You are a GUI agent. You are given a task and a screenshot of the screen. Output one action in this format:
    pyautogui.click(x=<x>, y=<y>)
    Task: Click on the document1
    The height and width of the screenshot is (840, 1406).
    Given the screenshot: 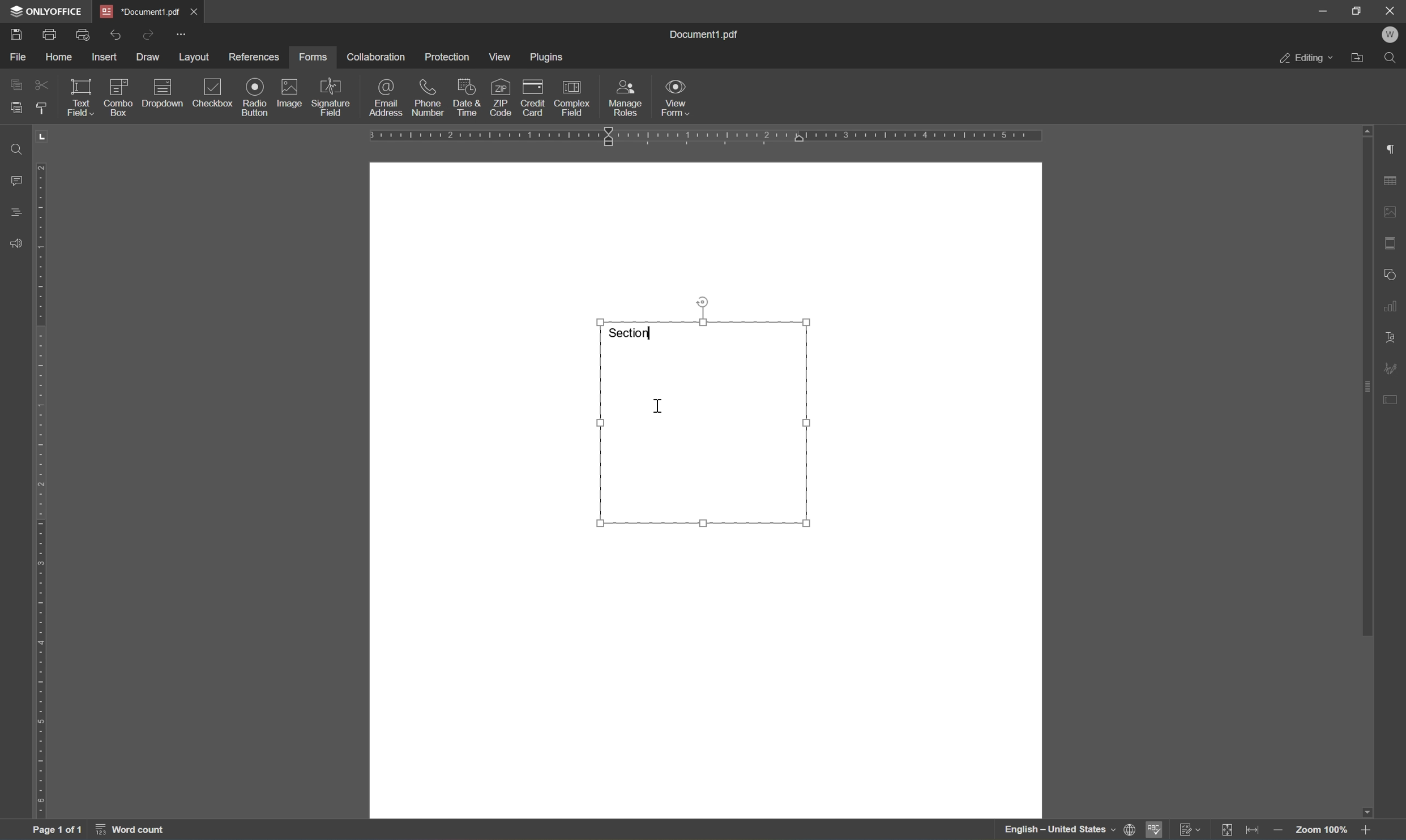 What is the action you would take?
    pyautogui.click(x=142, y=12)
    